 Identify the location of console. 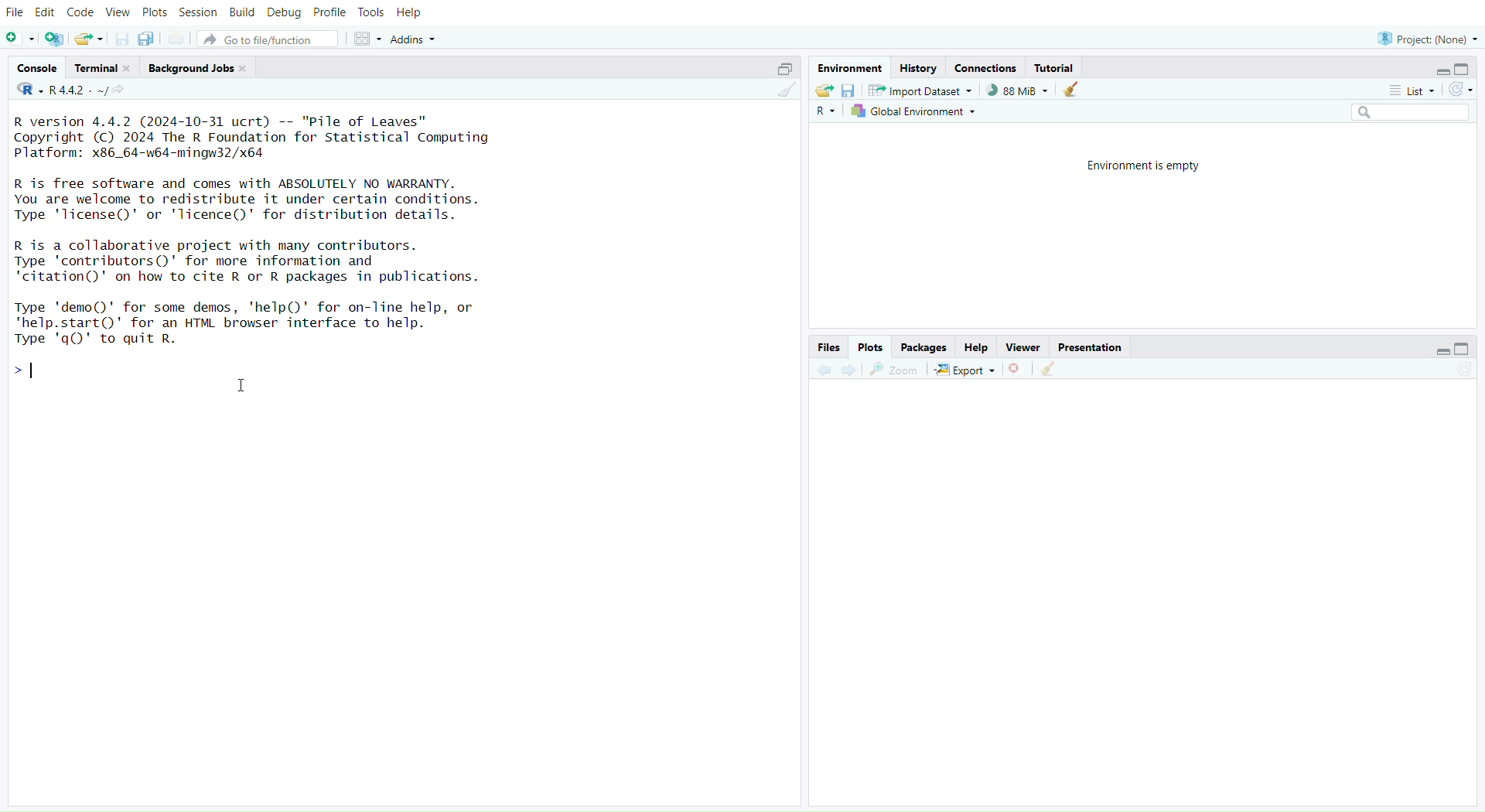
(36, 67).